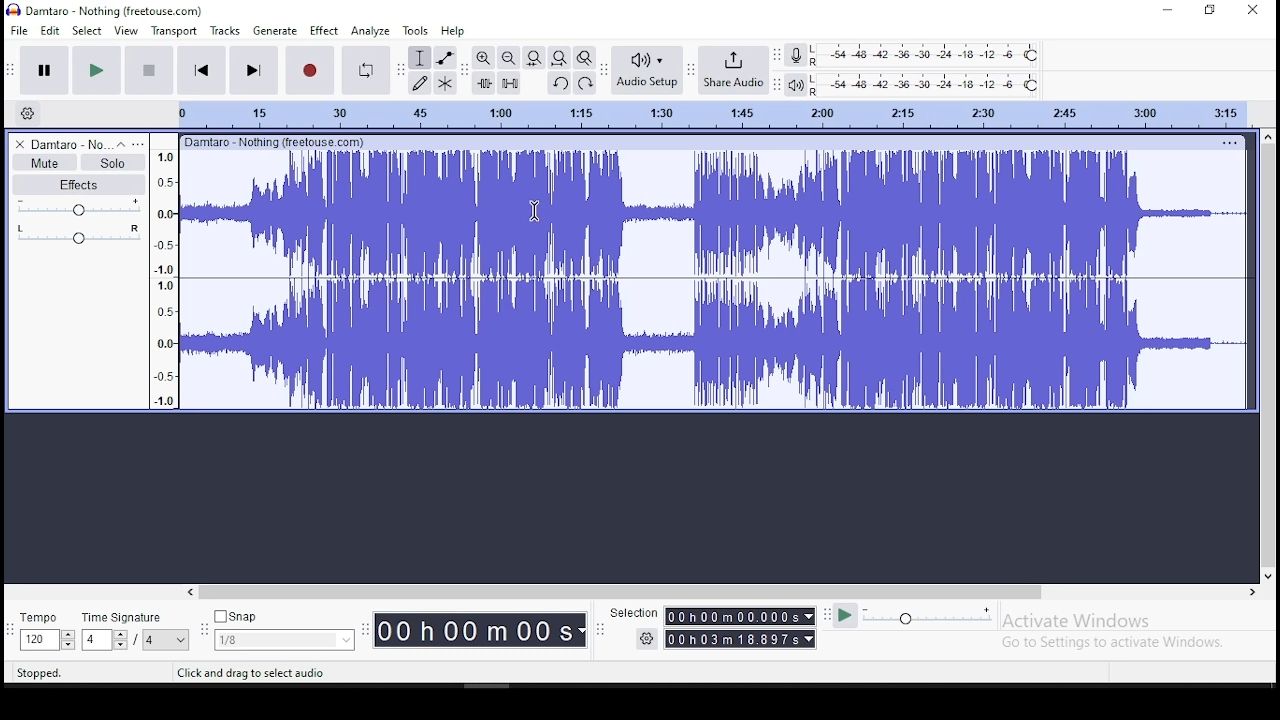 The image size is (1280, 720). I want to click on zoom out, so click(507, 57).